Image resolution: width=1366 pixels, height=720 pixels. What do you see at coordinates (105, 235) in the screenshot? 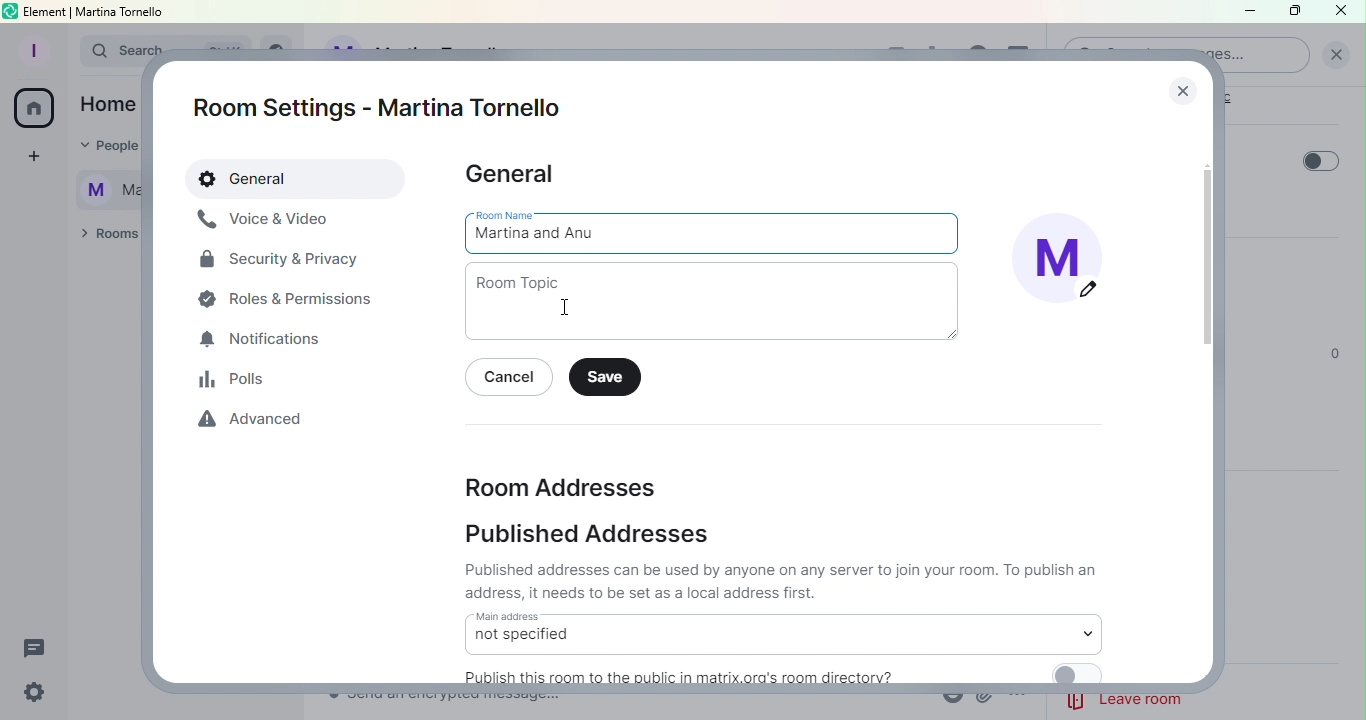
I see `Rooms` at bounding box center [105, 235].